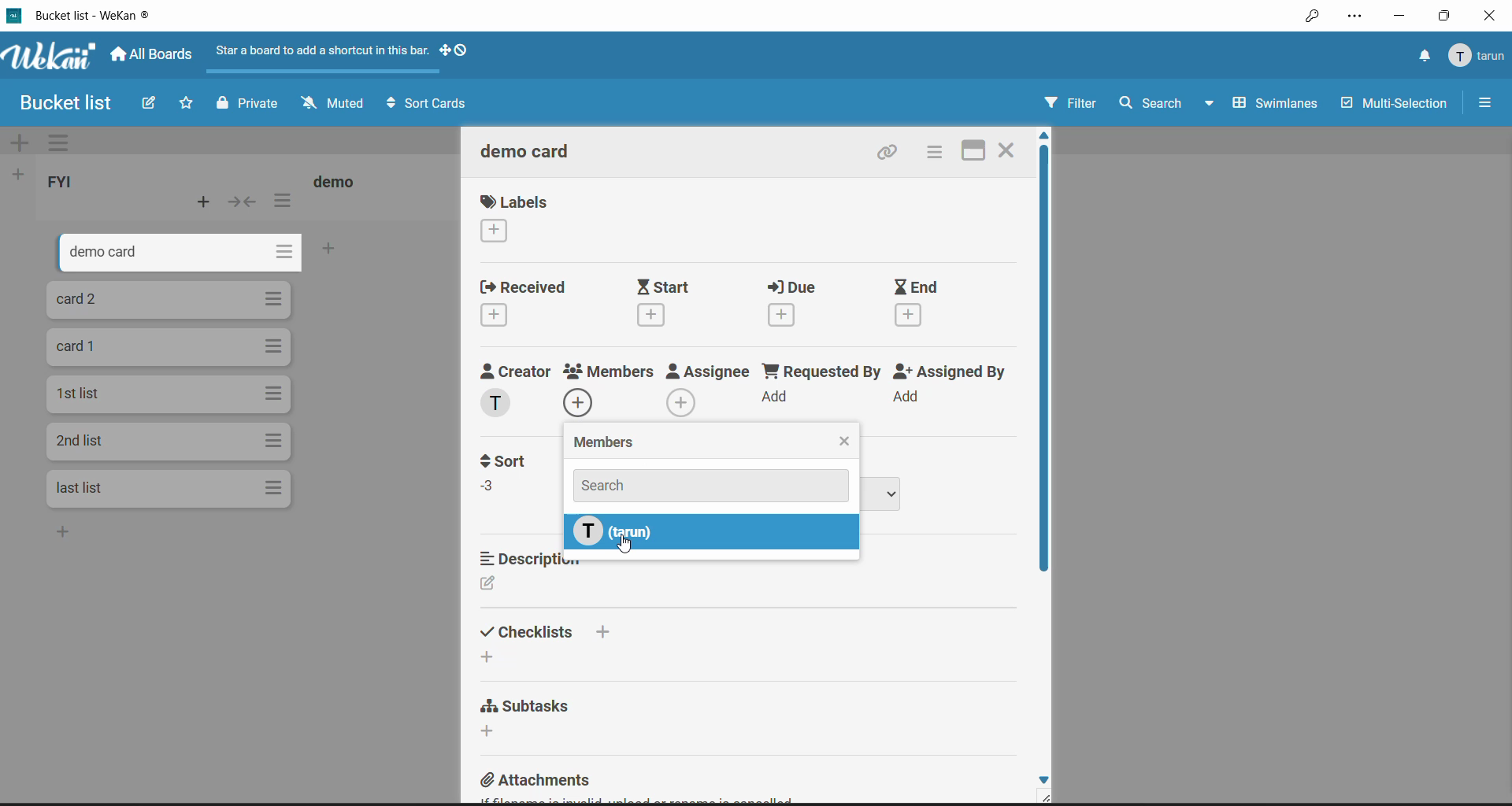 Image resolution: width=1512 pixels, height=806 pixels. I want to click on add checklist, so click(485, 656).